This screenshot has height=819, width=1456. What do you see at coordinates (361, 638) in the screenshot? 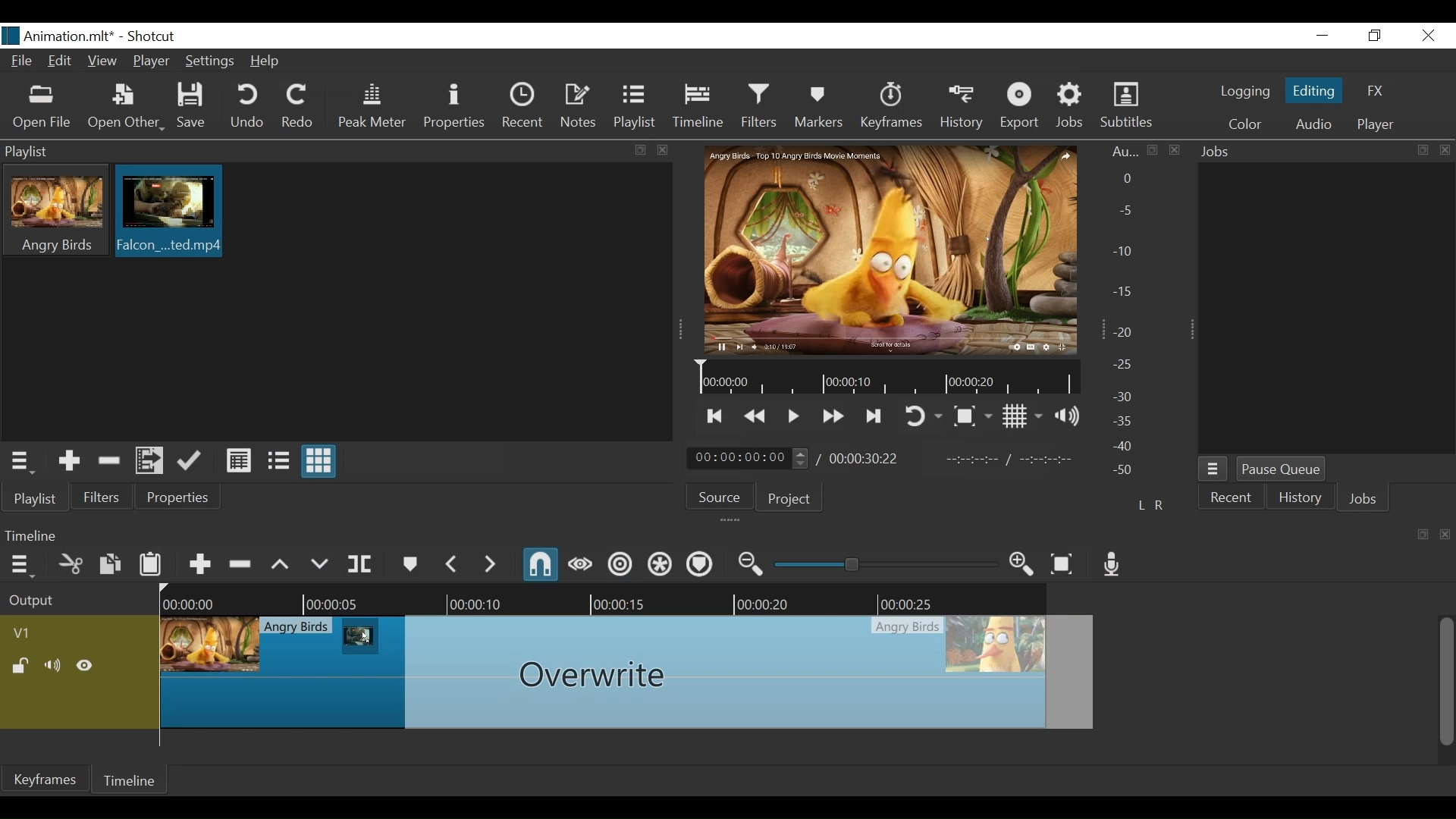
I see `Clip` at bounding box center [361, 638].